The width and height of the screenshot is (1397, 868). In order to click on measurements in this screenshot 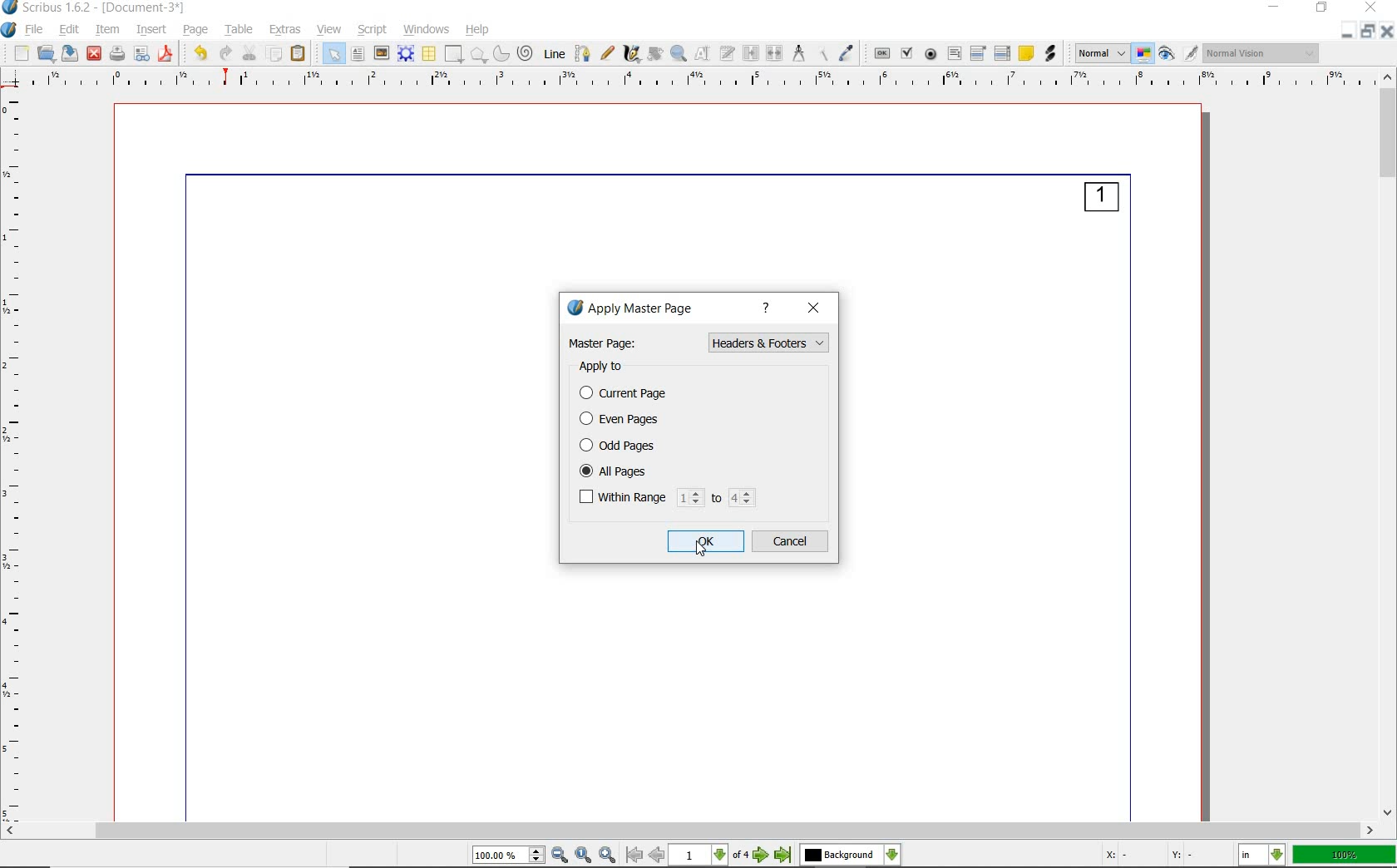, I will do `click(798, 54)`.